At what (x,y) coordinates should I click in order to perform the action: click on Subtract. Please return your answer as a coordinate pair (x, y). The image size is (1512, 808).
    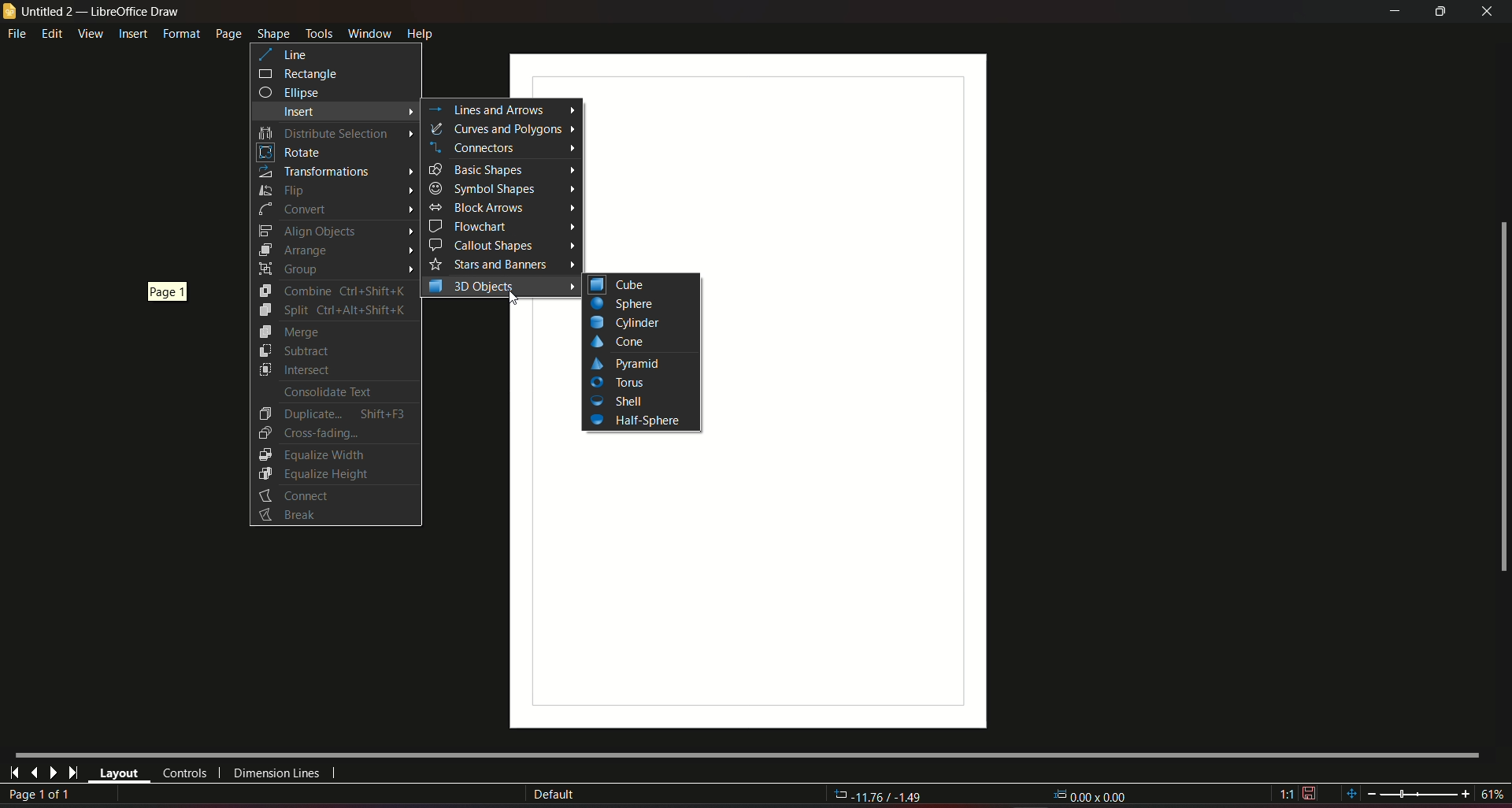
    Looking at the image, I should click on (295, 350).